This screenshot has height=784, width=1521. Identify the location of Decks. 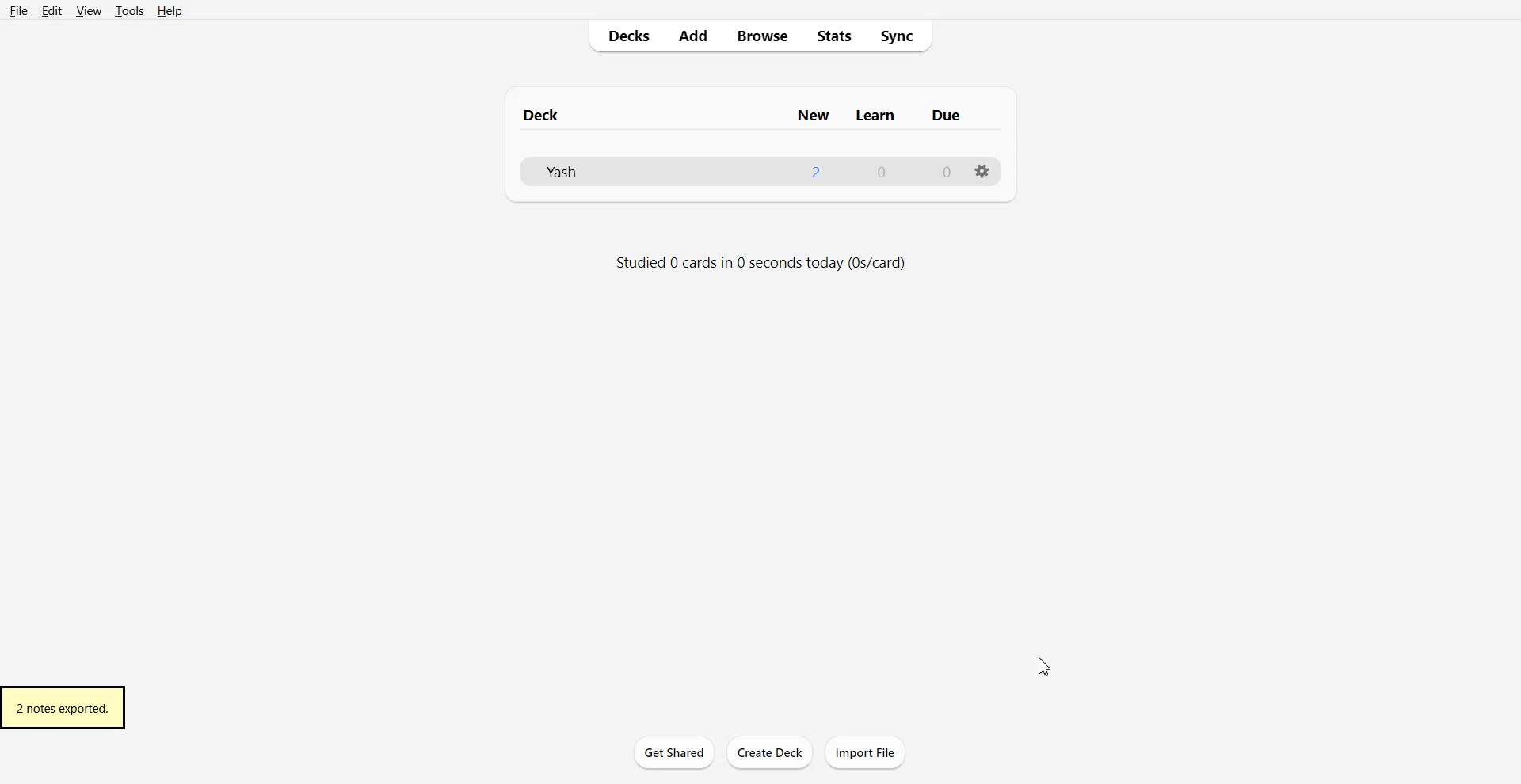
(626, 36).